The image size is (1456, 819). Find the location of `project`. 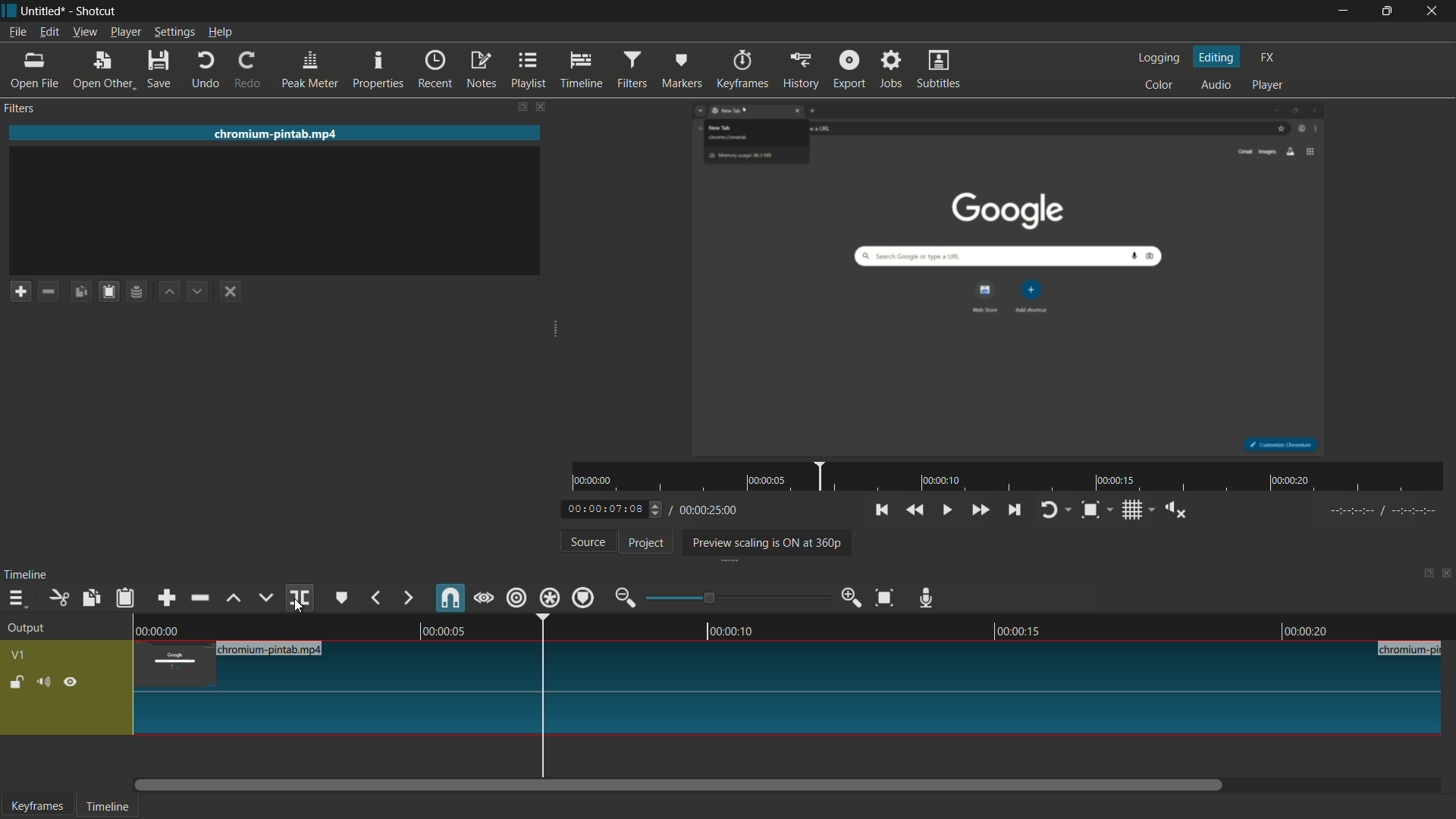

project is located at coordinates (647, 543).